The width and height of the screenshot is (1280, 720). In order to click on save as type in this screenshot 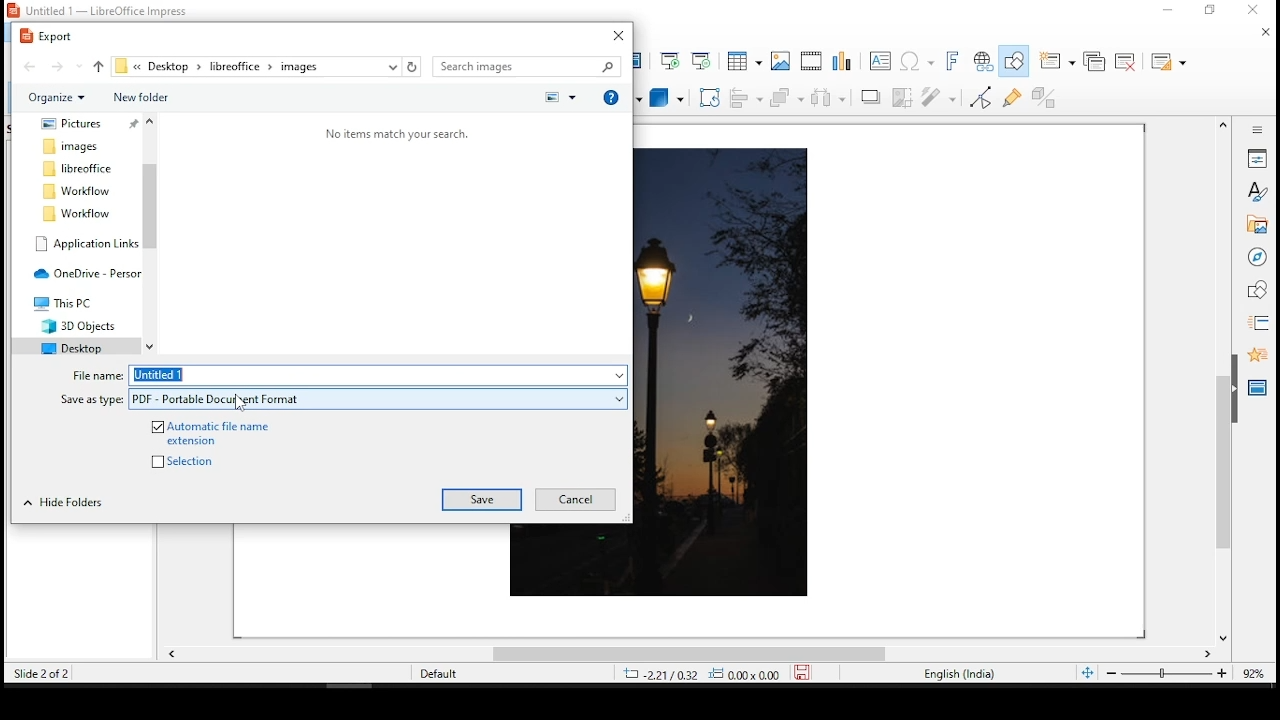, I will do `click(378, 400)`.